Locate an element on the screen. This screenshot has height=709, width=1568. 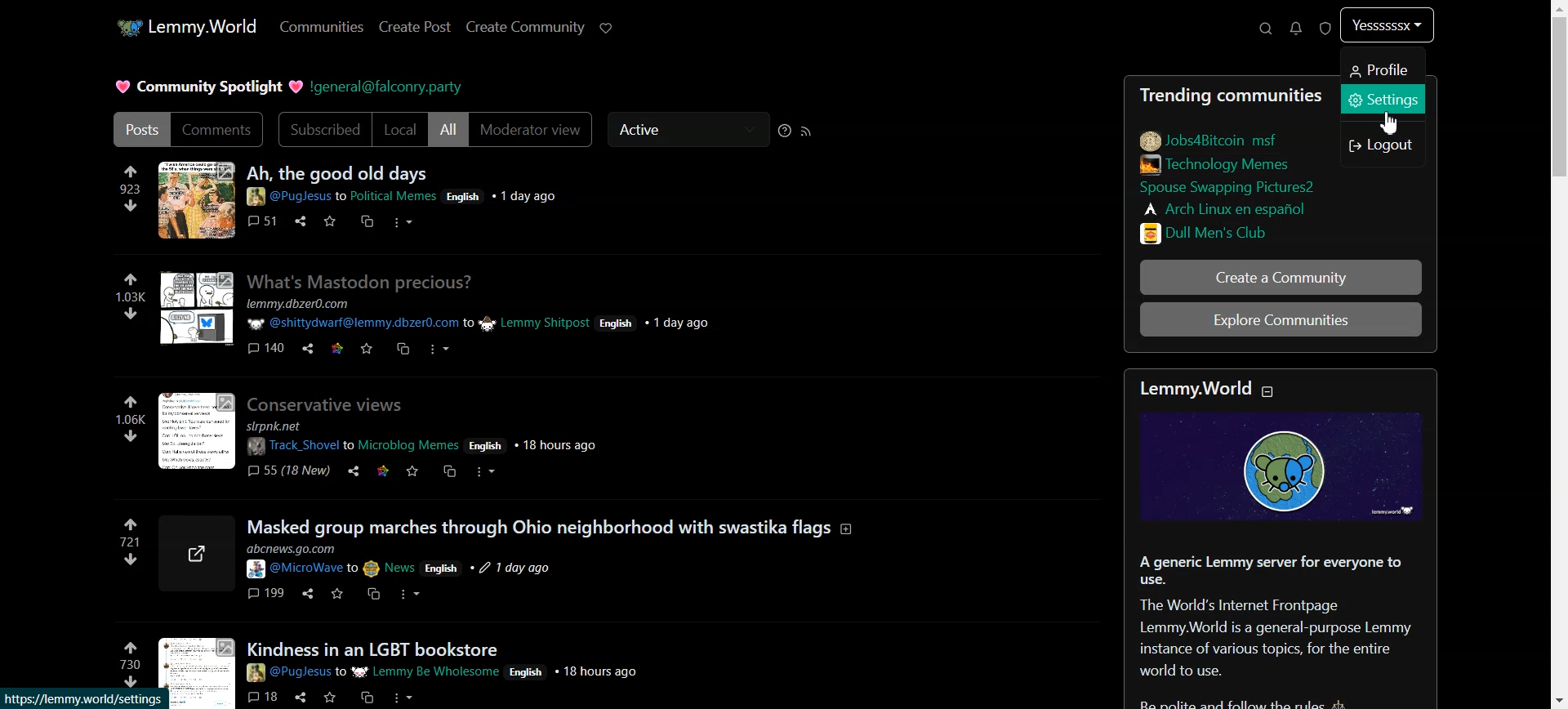
share is located at coordinates (311, 347).